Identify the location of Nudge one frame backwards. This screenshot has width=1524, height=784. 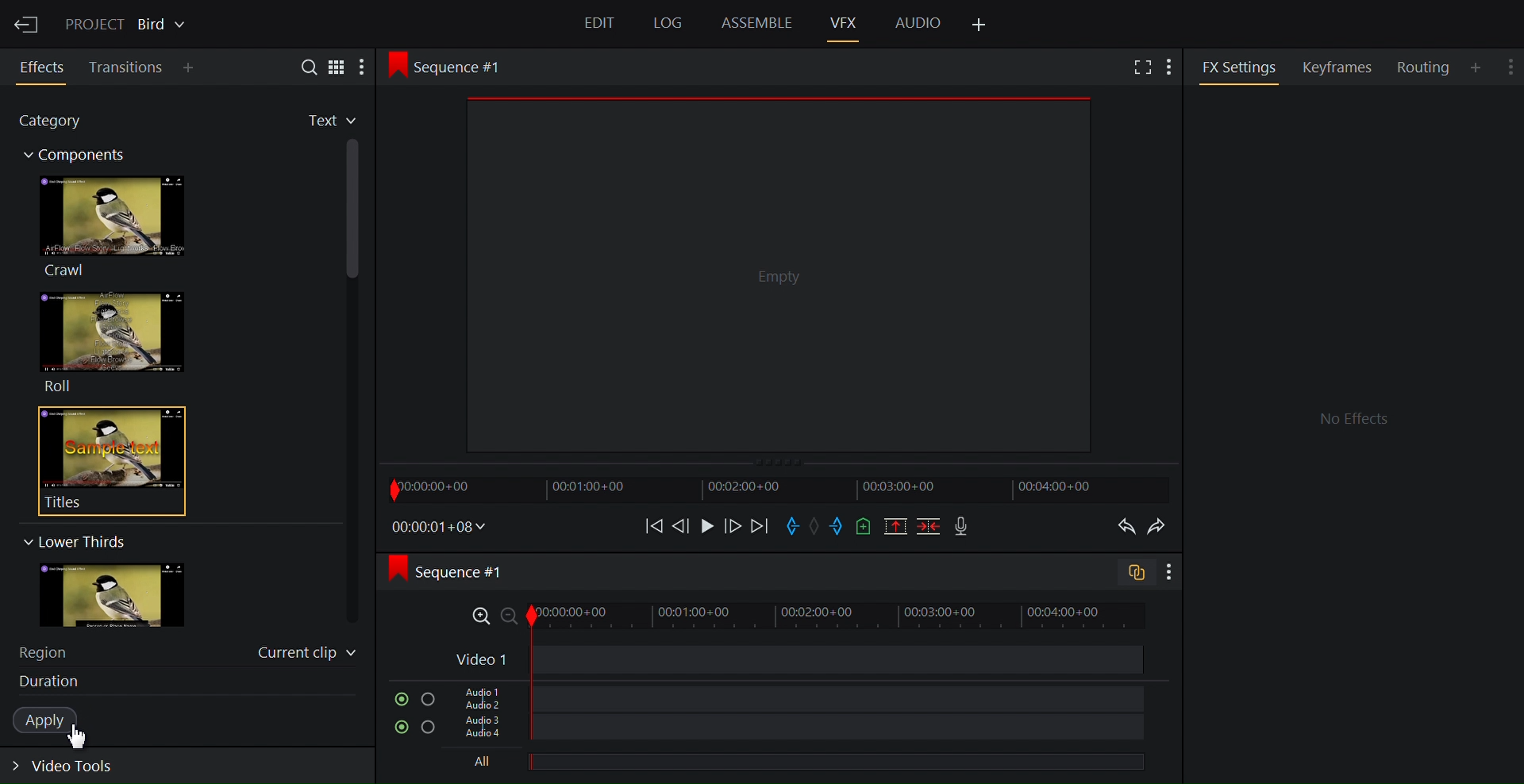
(682, 525).